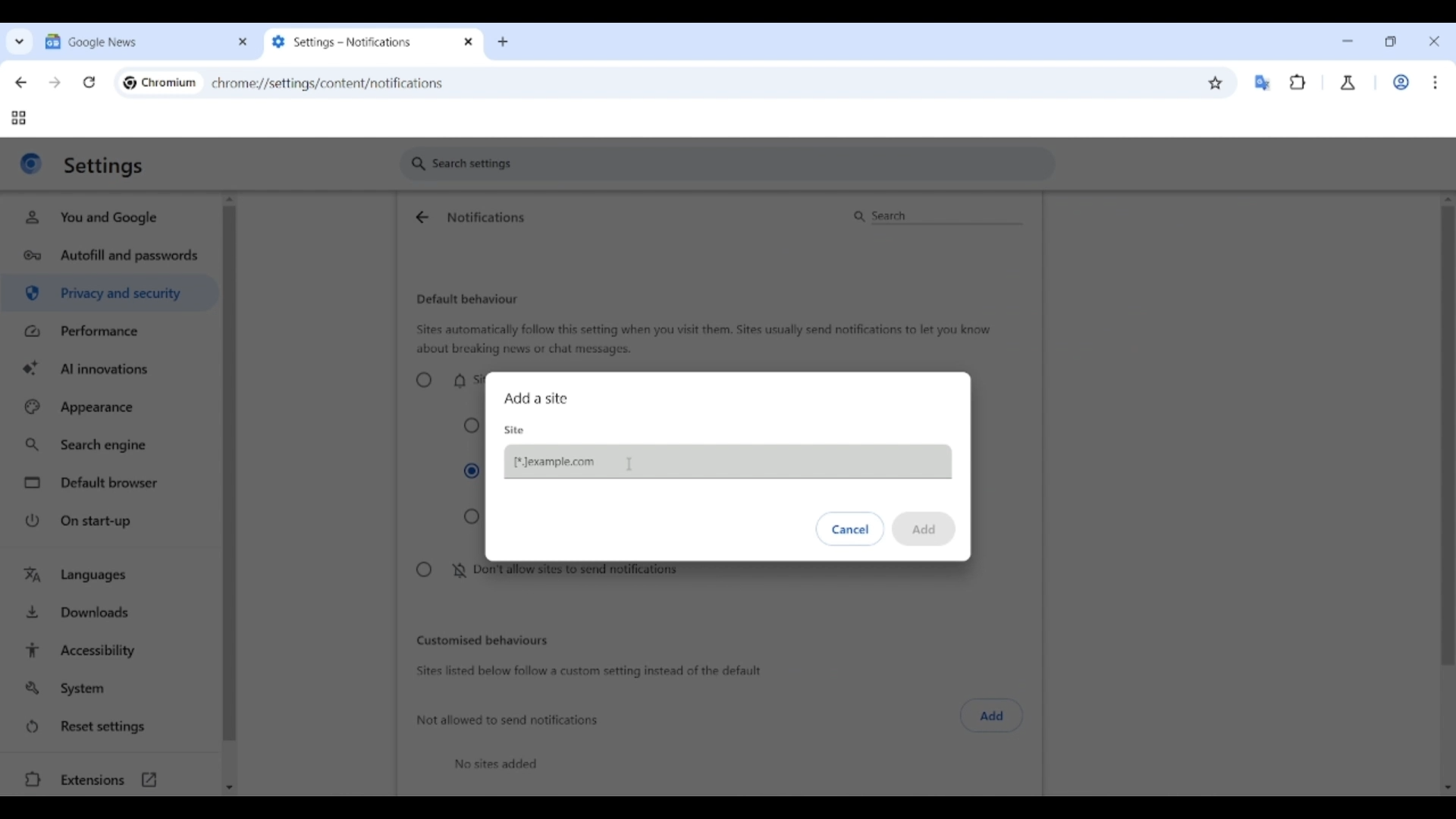 The height and width of the screenshot is (819, 1456). Describe the element at coordinates (89, 82) in the screenshot. I see `Reload page` at that location.